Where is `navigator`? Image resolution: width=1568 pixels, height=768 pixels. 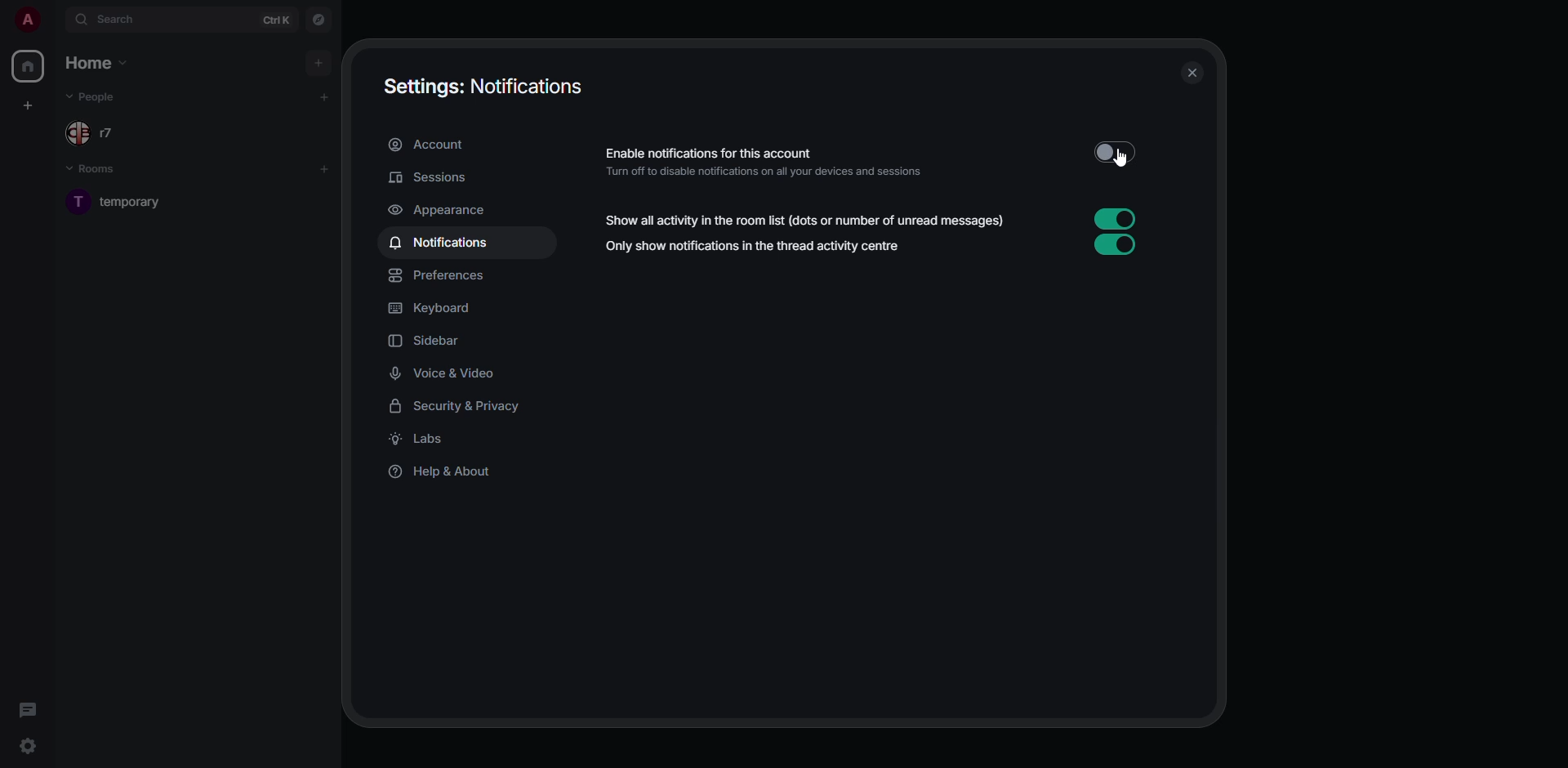 navigator is located at coordinates (320, 20).